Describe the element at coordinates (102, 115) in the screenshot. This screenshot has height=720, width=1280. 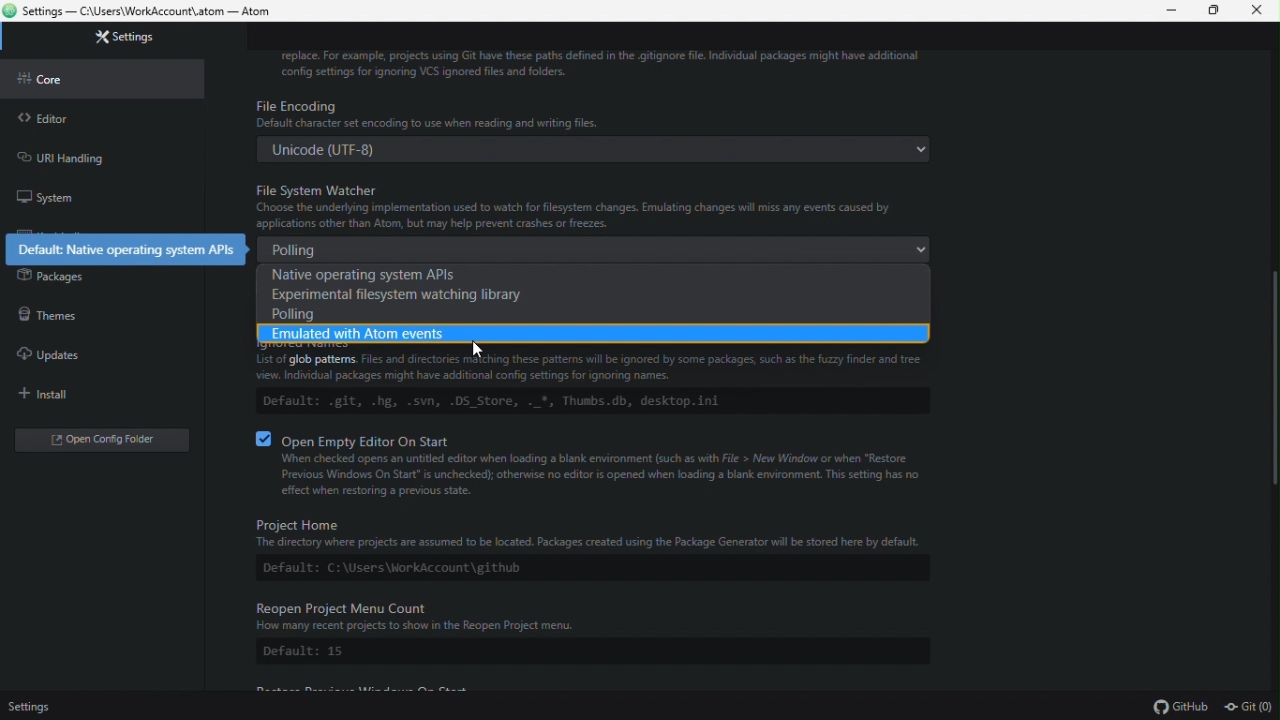
I see `editor` at that location.